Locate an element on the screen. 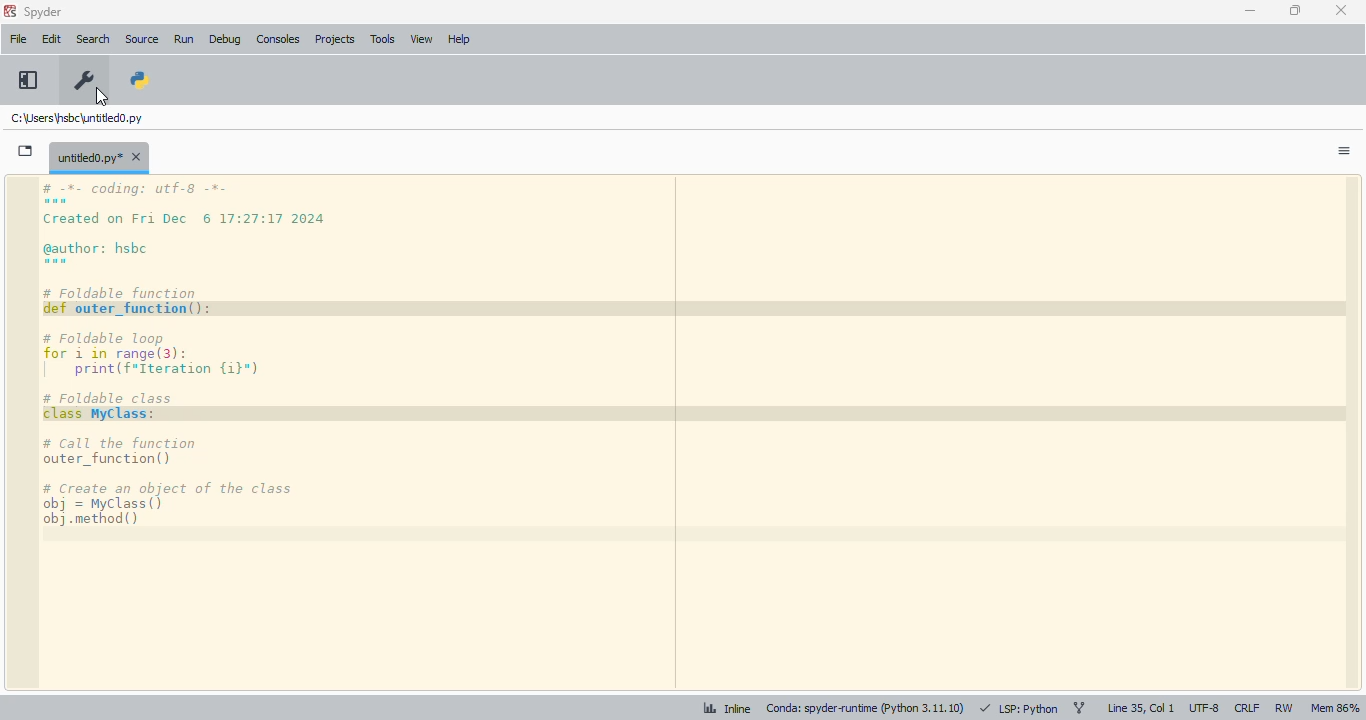 This screenshot has height=720, width=1366. RW is located at coordinates (1284, 709).